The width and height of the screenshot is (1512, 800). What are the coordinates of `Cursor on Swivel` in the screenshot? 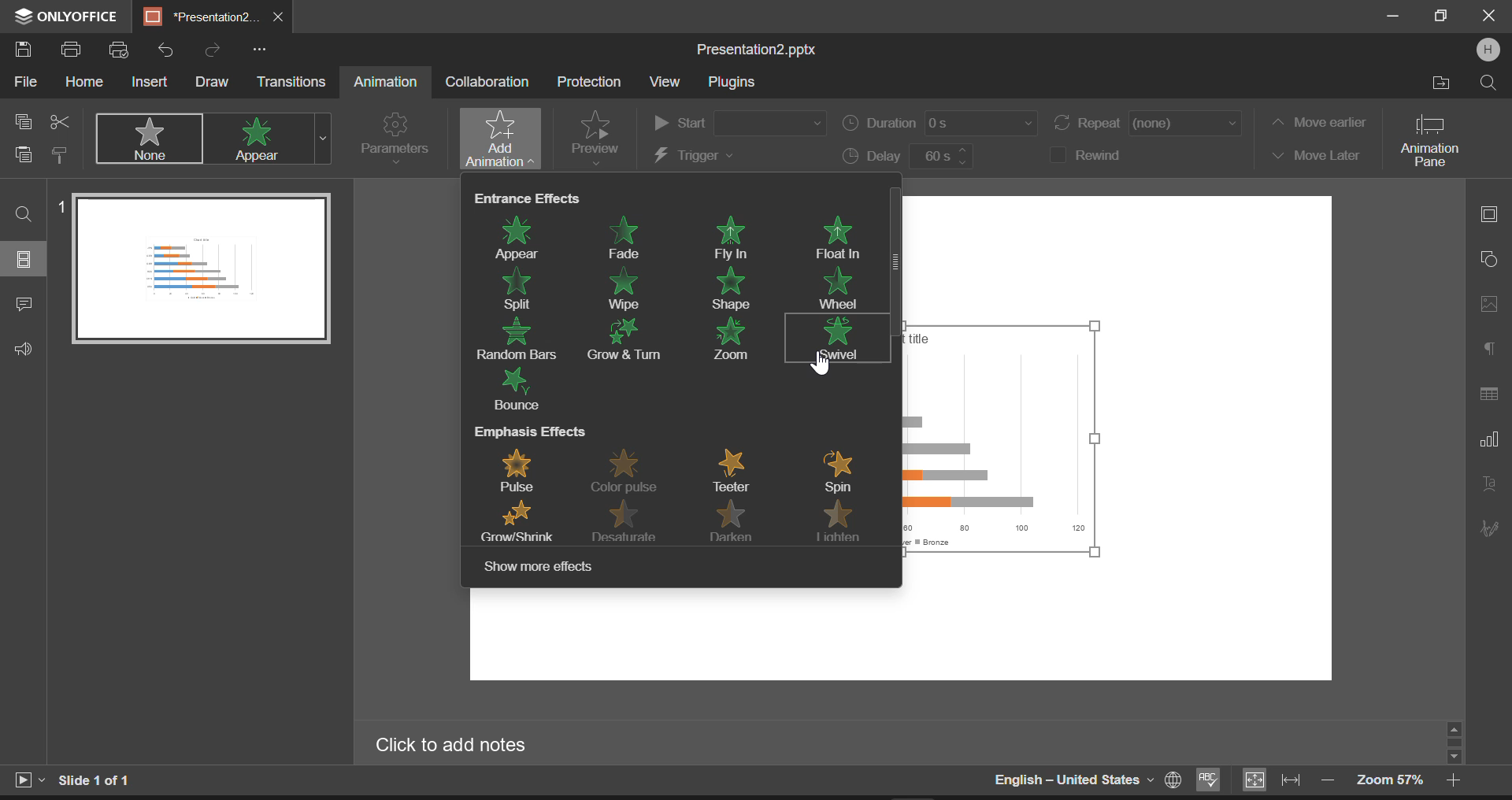 It's located at (821, 365).